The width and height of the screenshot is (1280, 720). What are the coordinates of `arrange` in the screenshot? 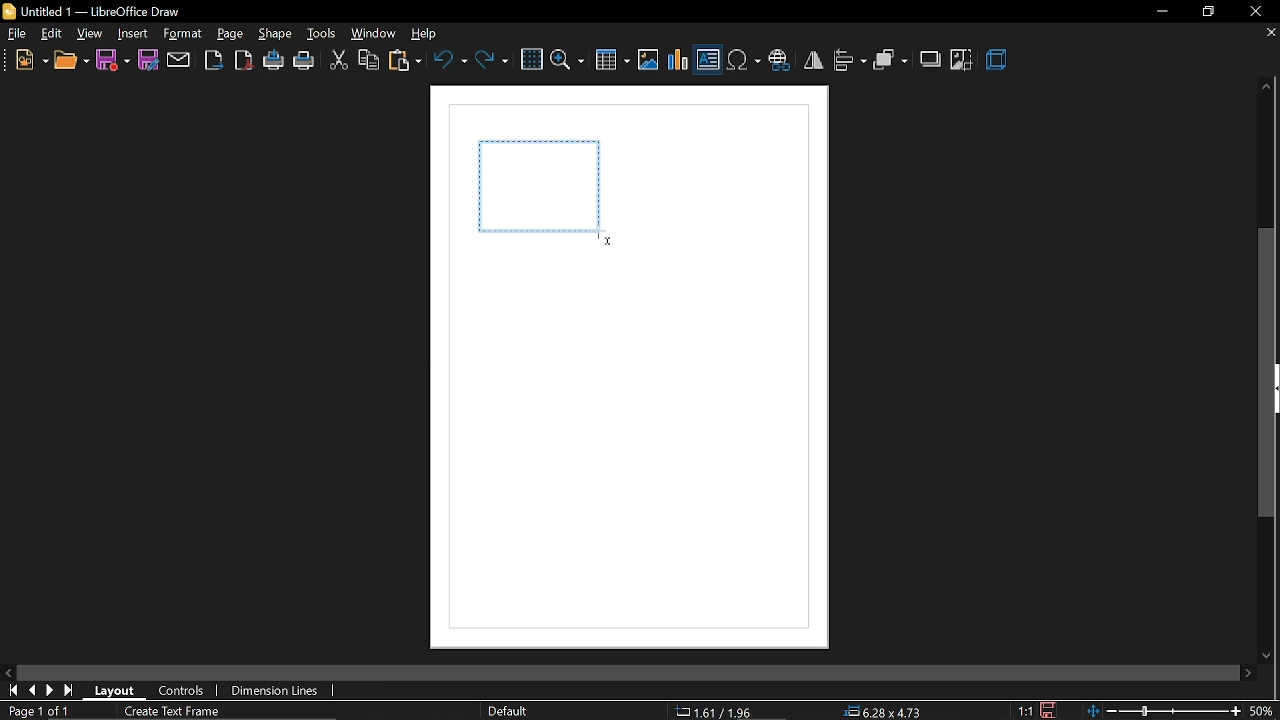 It's located at (891, 62).